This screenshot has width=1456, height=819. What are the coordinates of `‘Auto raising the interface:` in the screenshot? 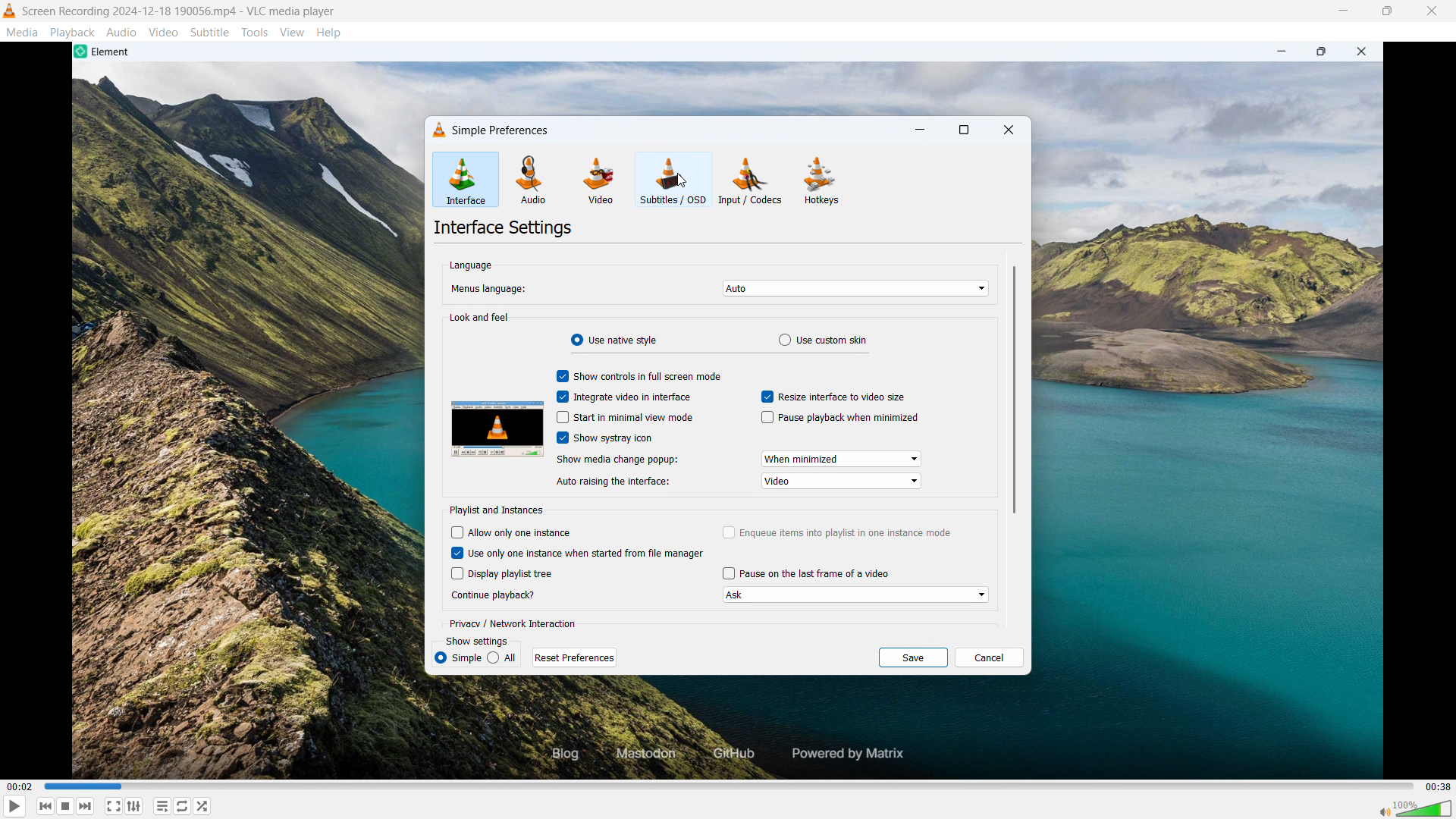 It's located at (616, 482).